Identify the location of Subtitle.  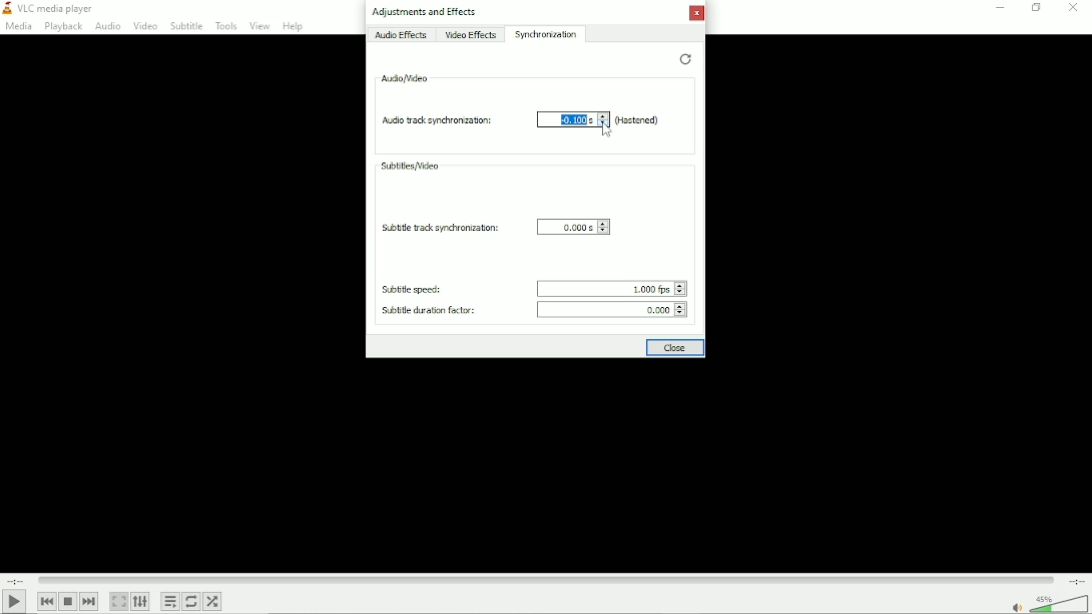
(186, 26).